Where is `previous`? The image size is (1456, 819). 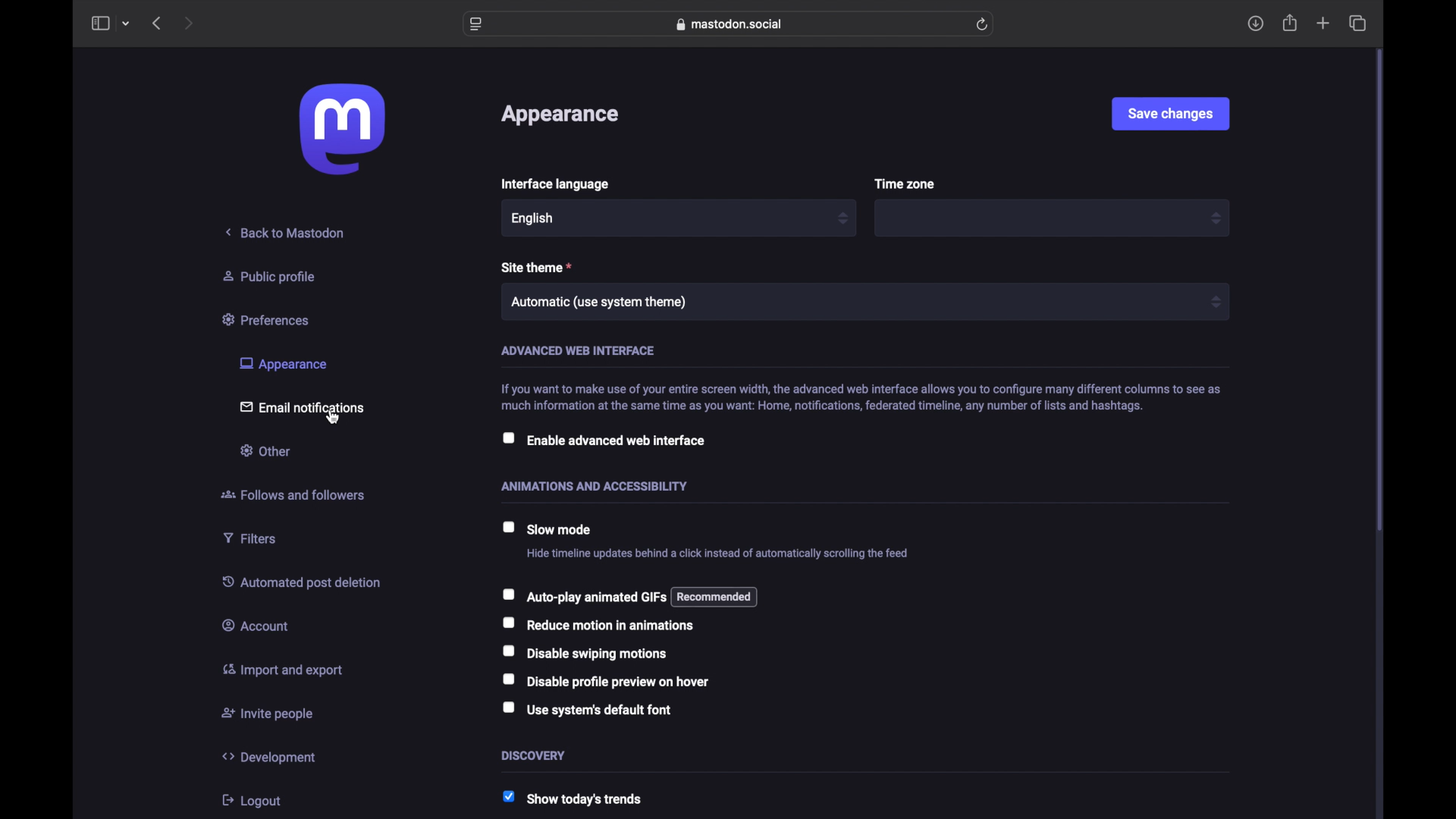 previous is located at coordinates (156, 23).